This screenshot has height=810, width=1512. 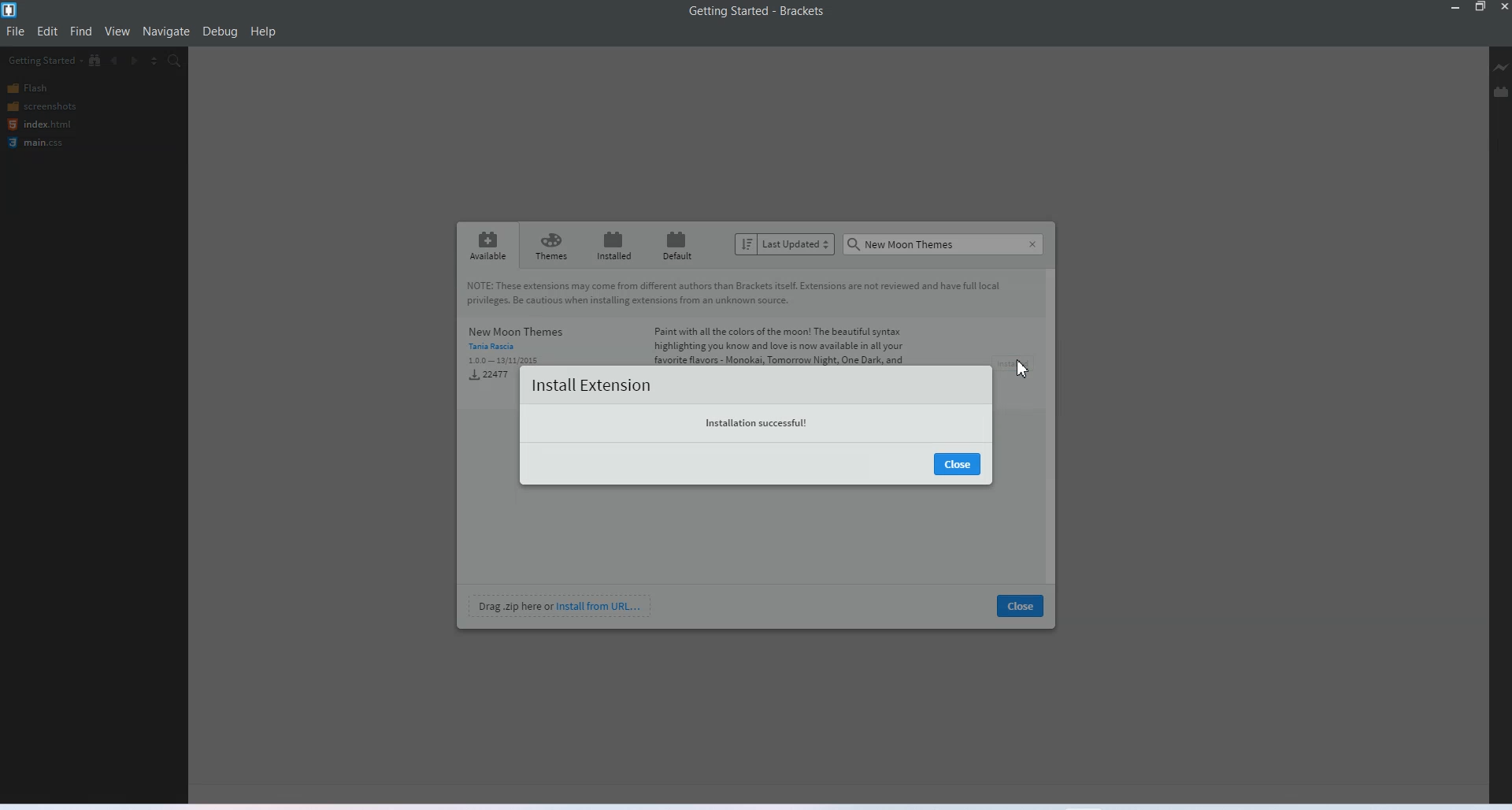 What do you see at coordinates (11, 10) in the screenshot?
I see `Logo` at bounding box center [11, 10].